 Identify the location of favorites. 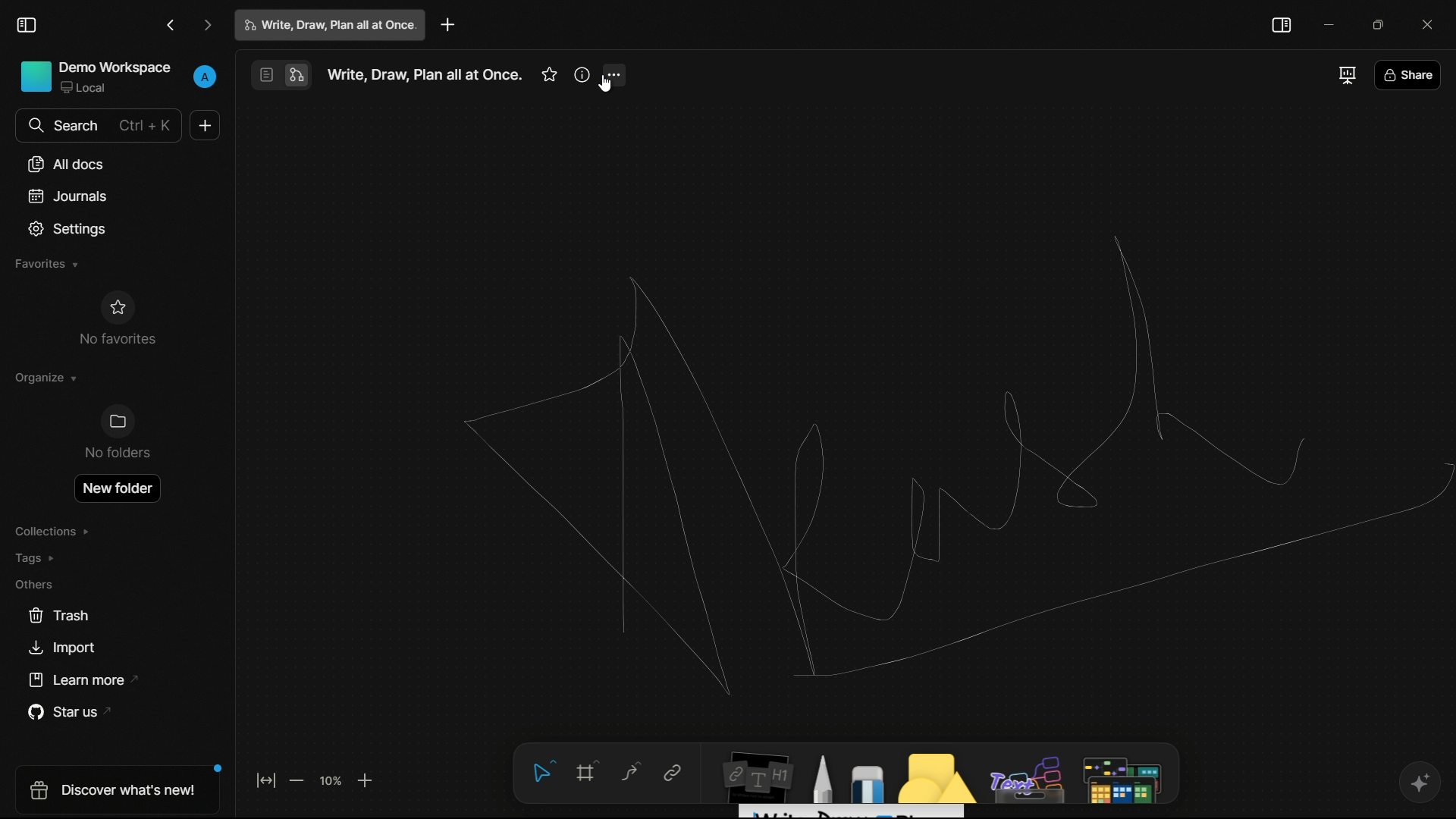
(44, 265).